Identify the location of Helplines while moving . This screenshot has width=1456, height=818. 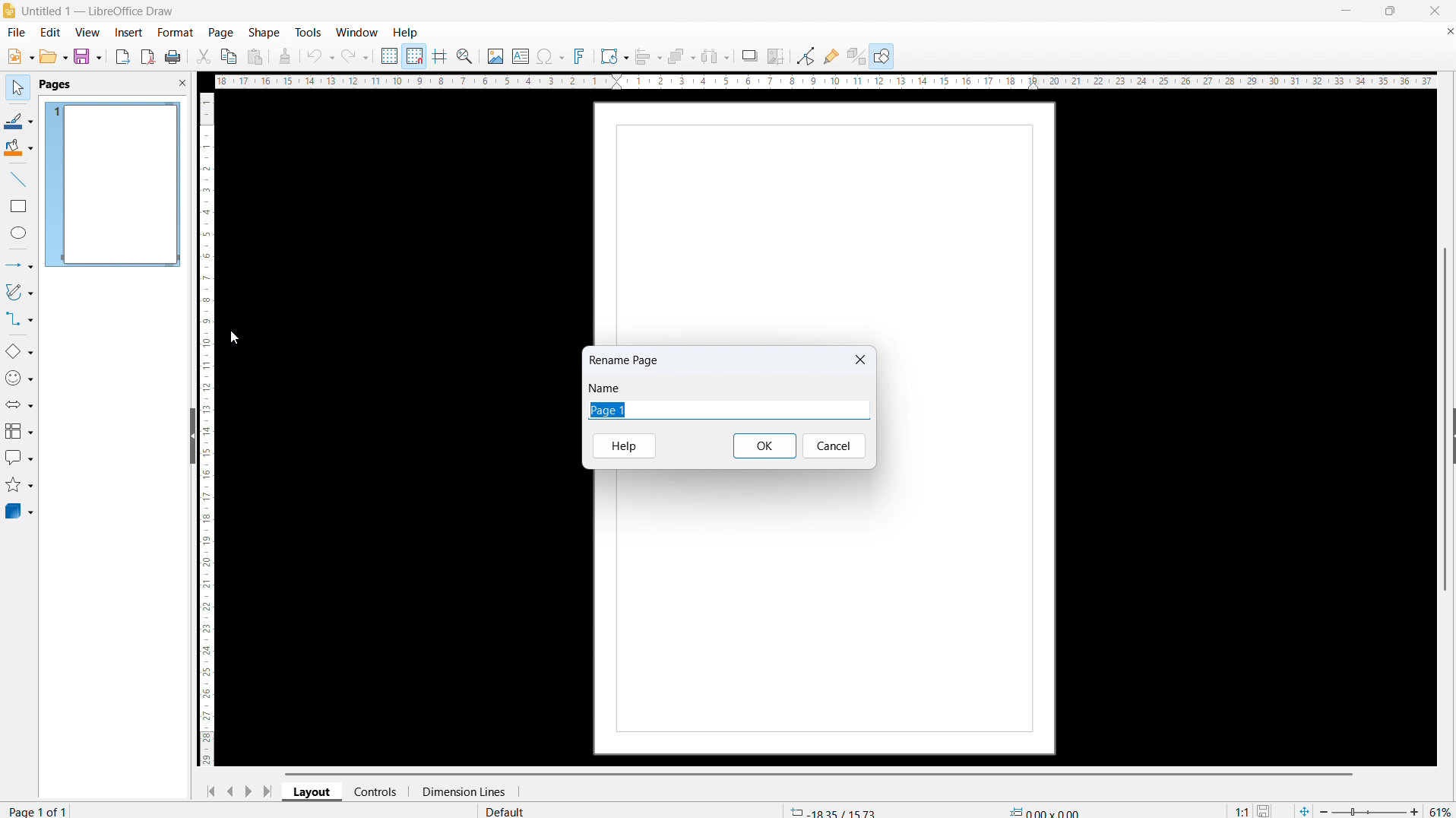
(440, 55).